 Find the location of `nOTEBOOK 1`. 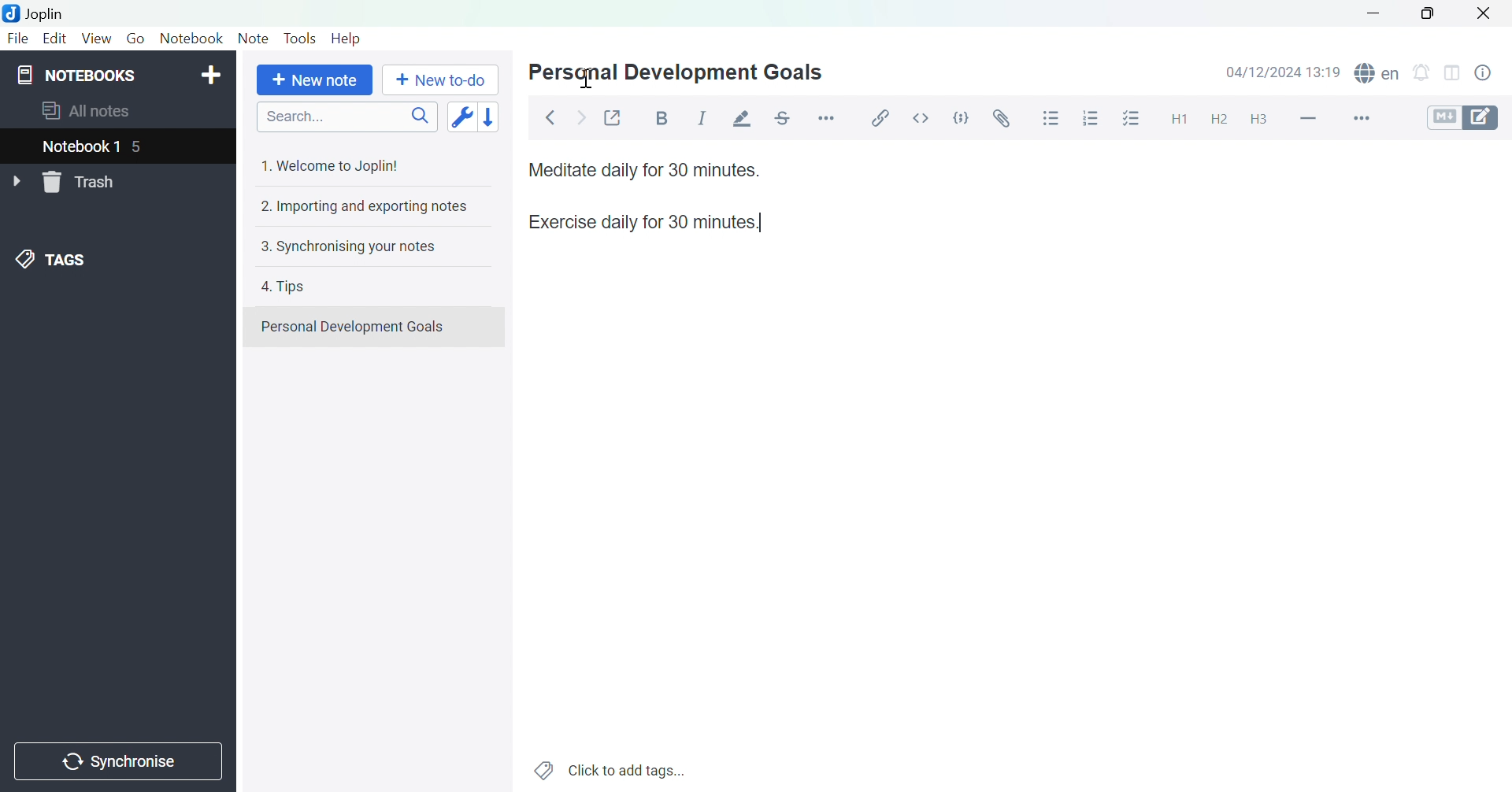

nOTEBOOK 1 is located at coordinates (83, 146).